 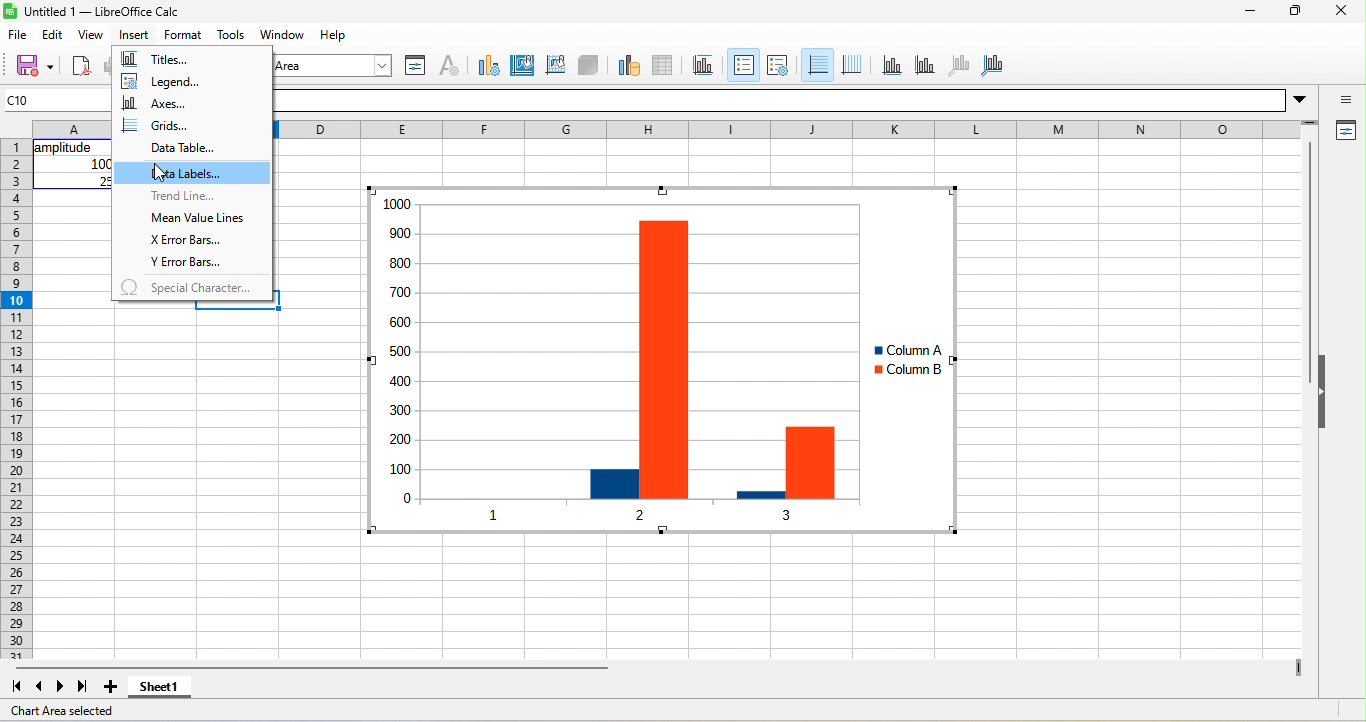 What do you see at coordinates (923, 64) in the screenshot?
I see `y axis` at bounding box center [923, 64].